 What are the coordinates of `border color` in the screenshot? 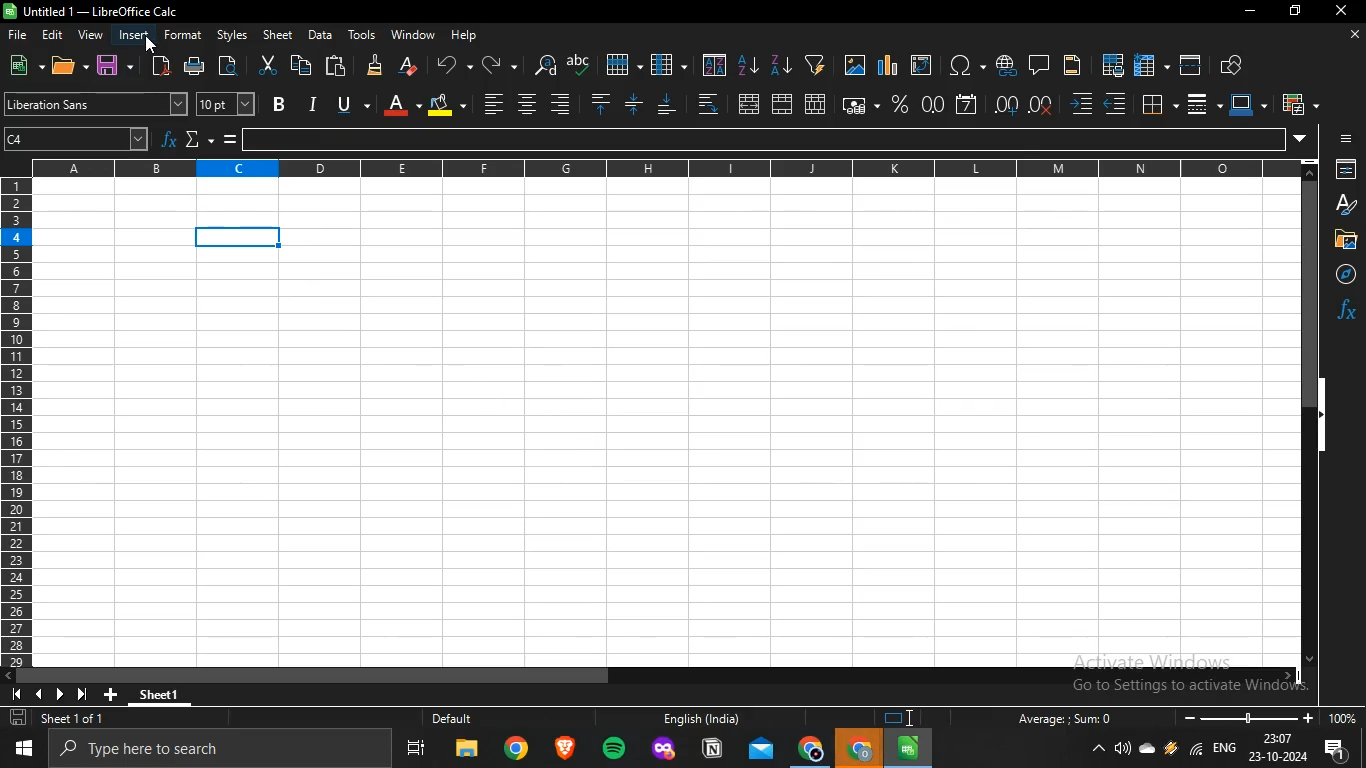 It's located at (1244, 103).